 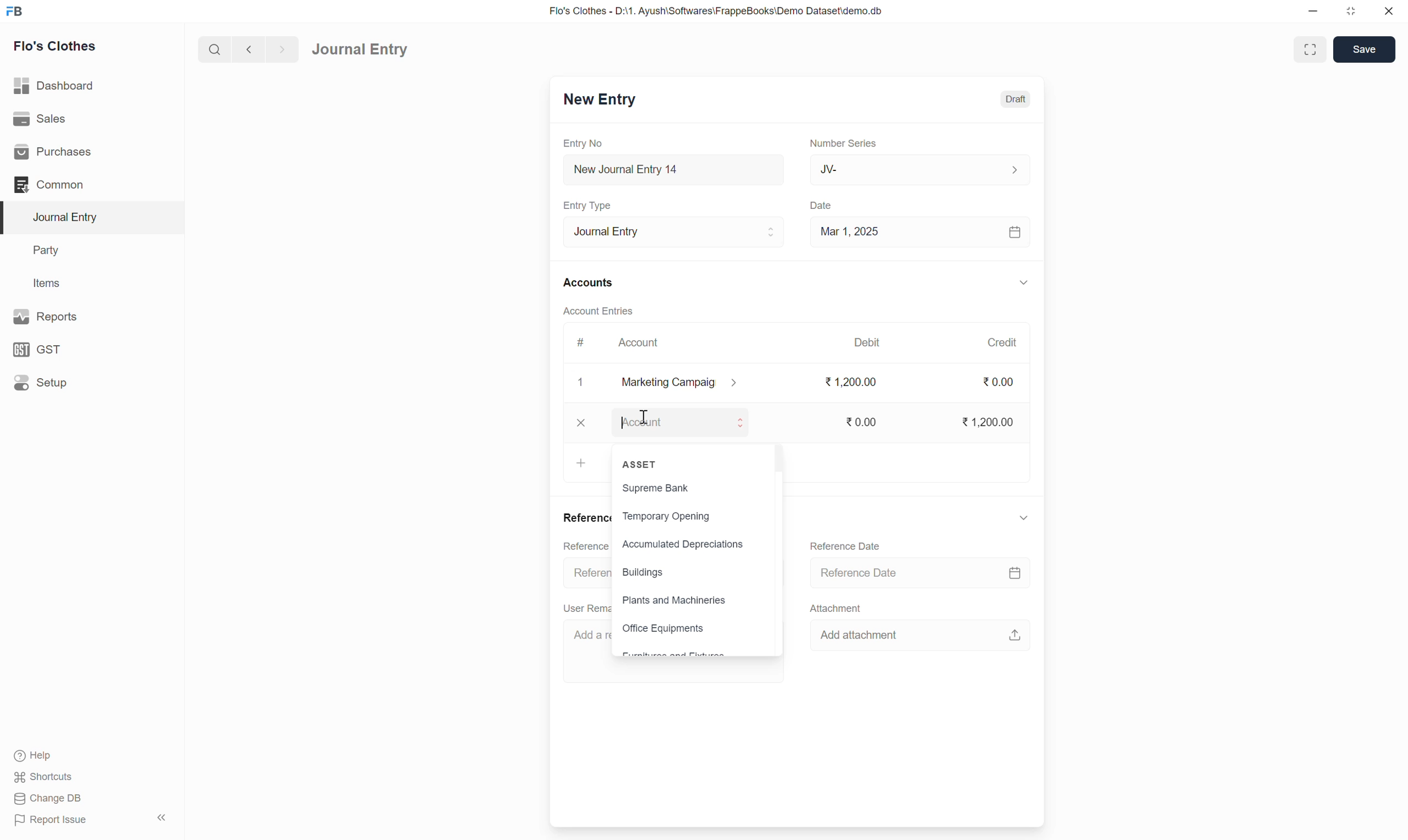 I want to click on Temporary Opening, so click(x=667, y=517).